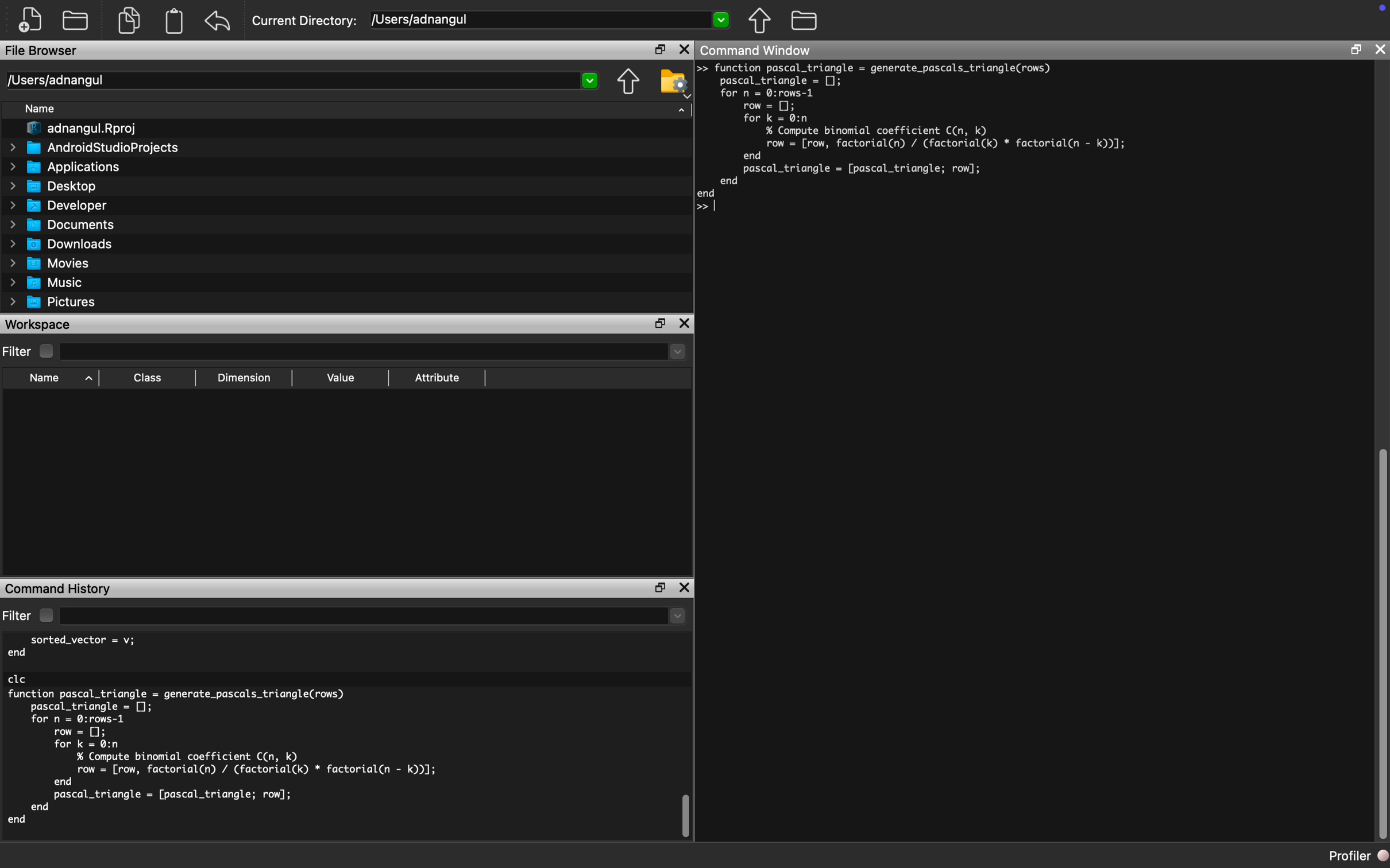 The height and width of the screenshot is (868, 1390). Describe the element at coordinates (53, 304) in the screenshot. I see `Pictures` at that location.